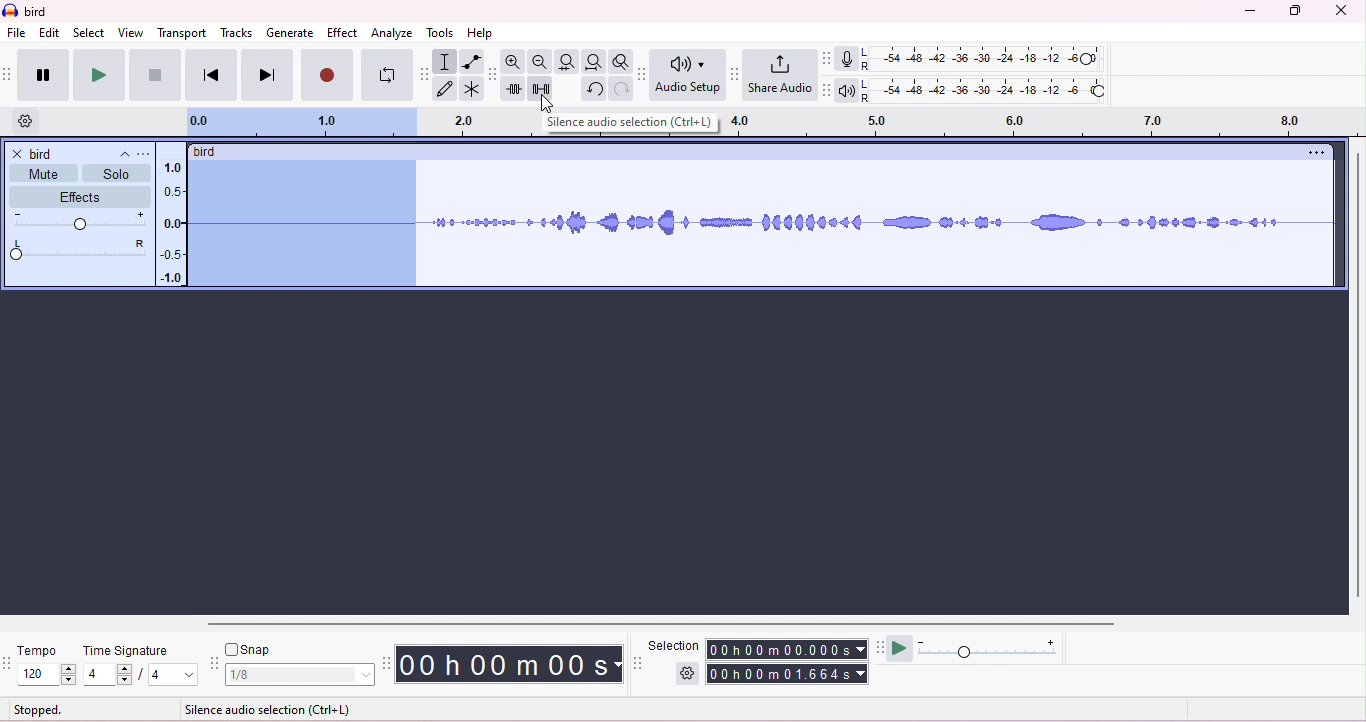 The image size is (1366, 722). Describe the element at coordinates (11, 12) in the screenshot. I see `logo` at that location.